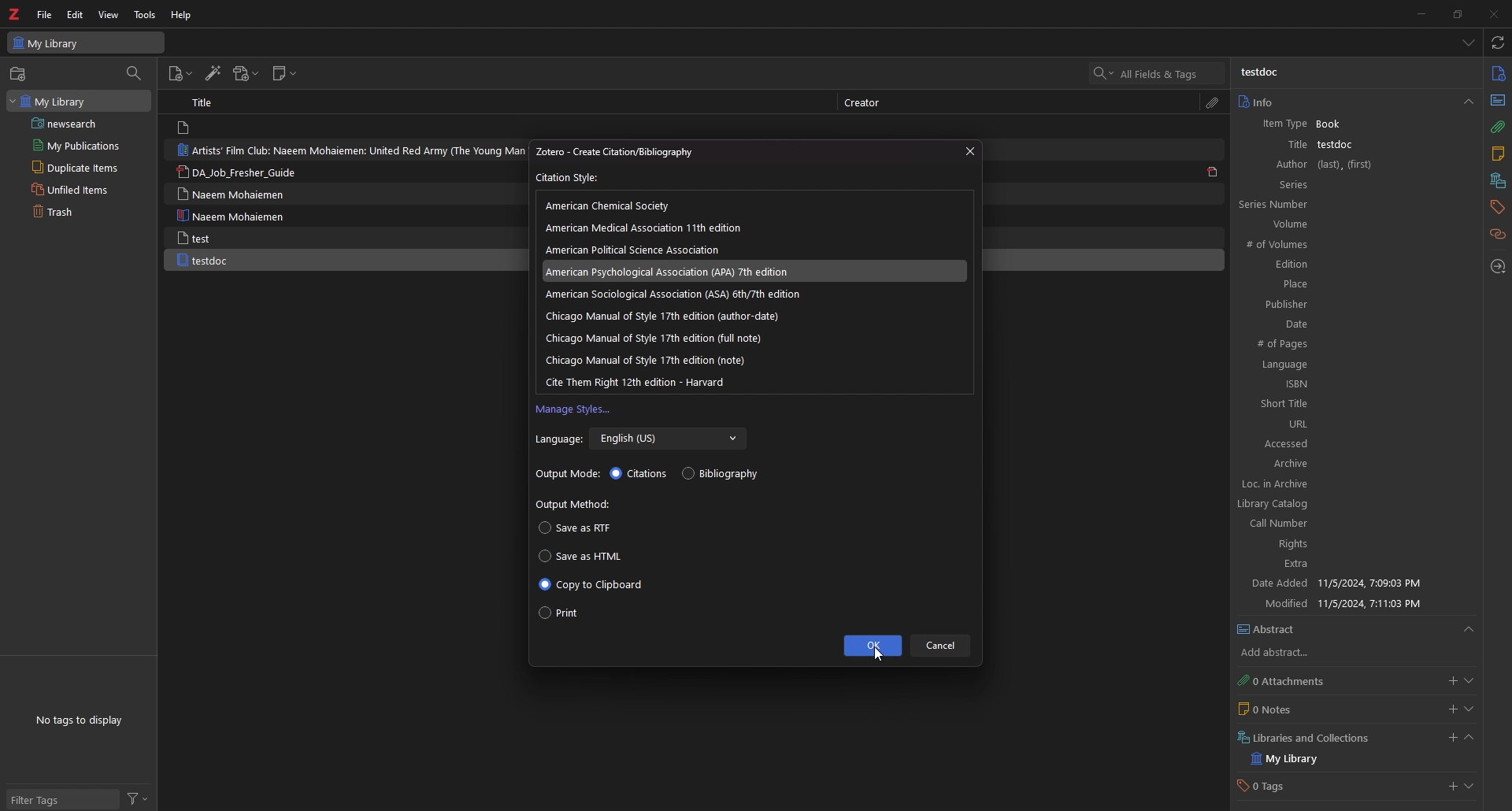  What do you see at coordinates (1348, 345) in the screenshot?
I see `# of Pages` at bounding box center [1348, 345].